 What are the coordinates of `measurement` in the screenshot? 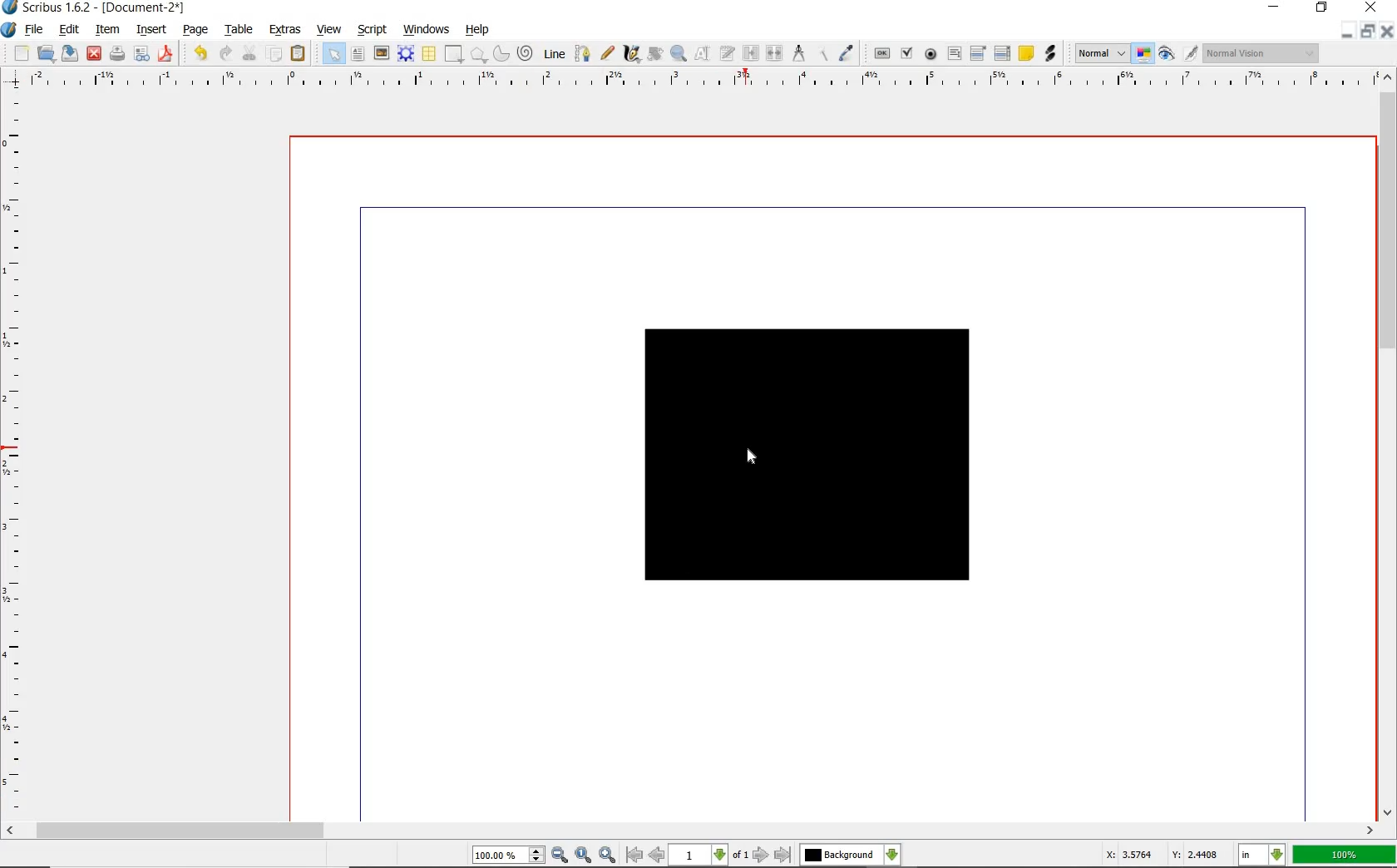 It's located at (801, 55).